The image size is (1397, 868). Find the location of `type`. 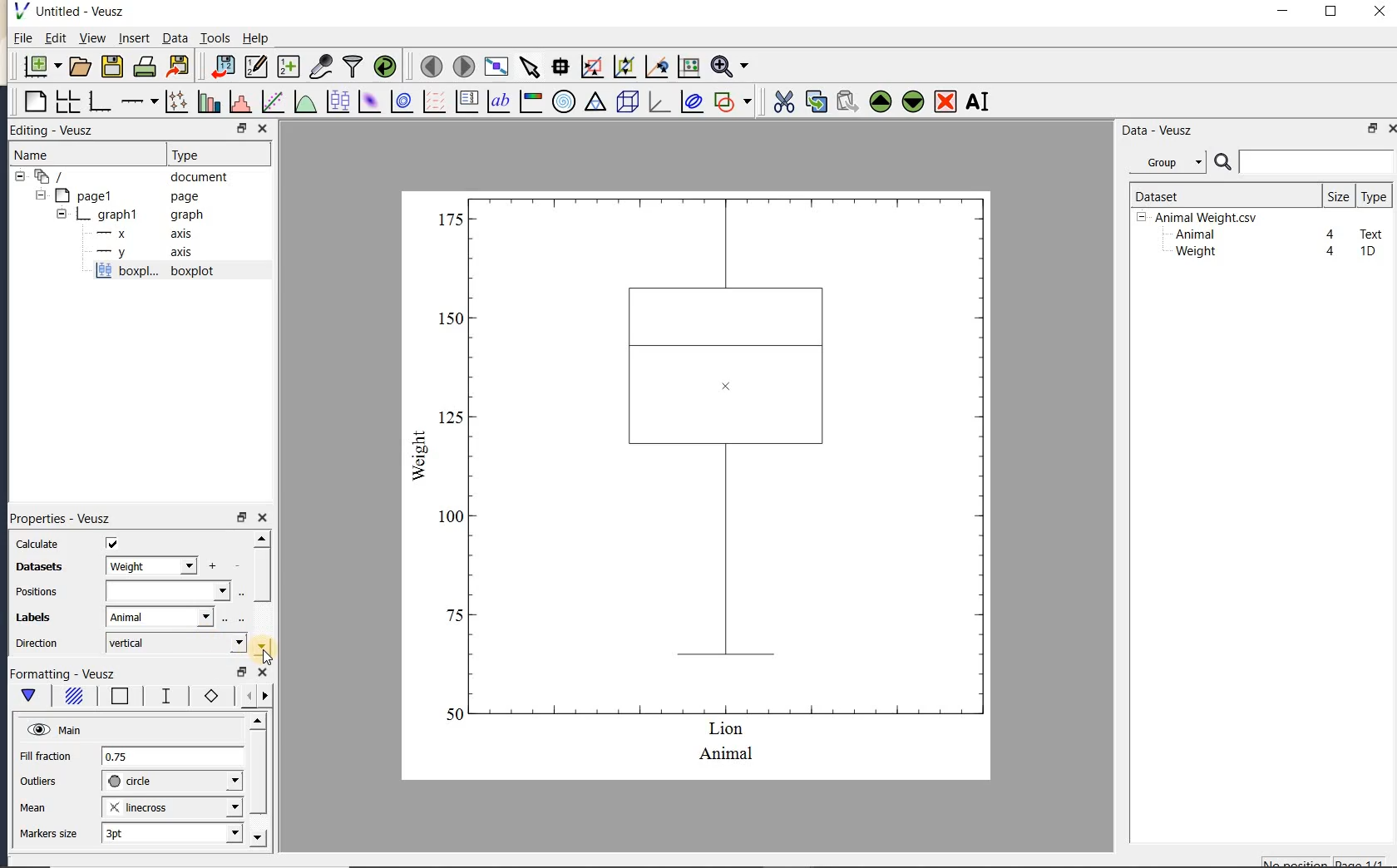

type is located at coordinates (1373, 196).